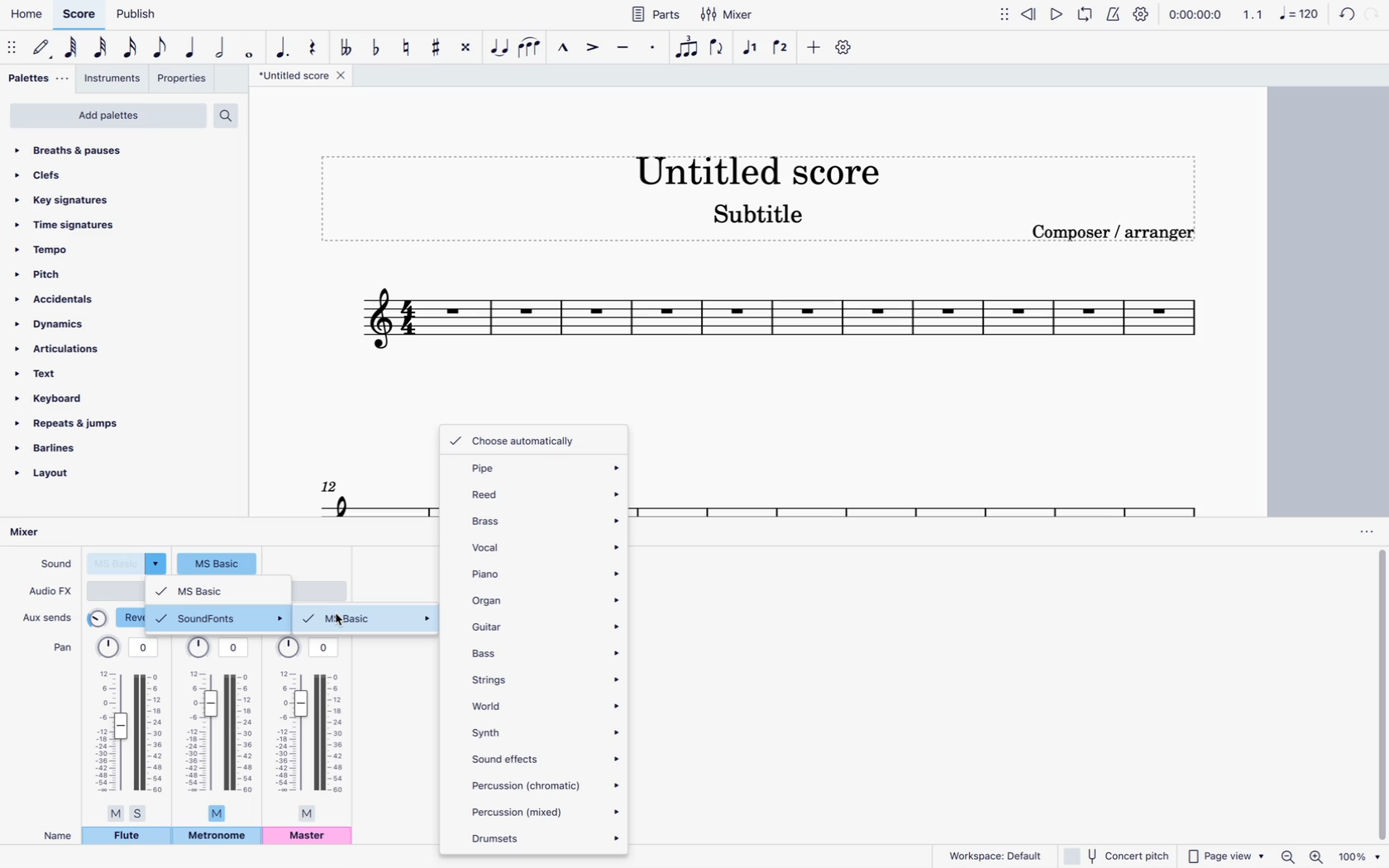  What do you see at coordinates (217, 562) in the screenshot?
I see `sound type` at bounding box center [217, 562].